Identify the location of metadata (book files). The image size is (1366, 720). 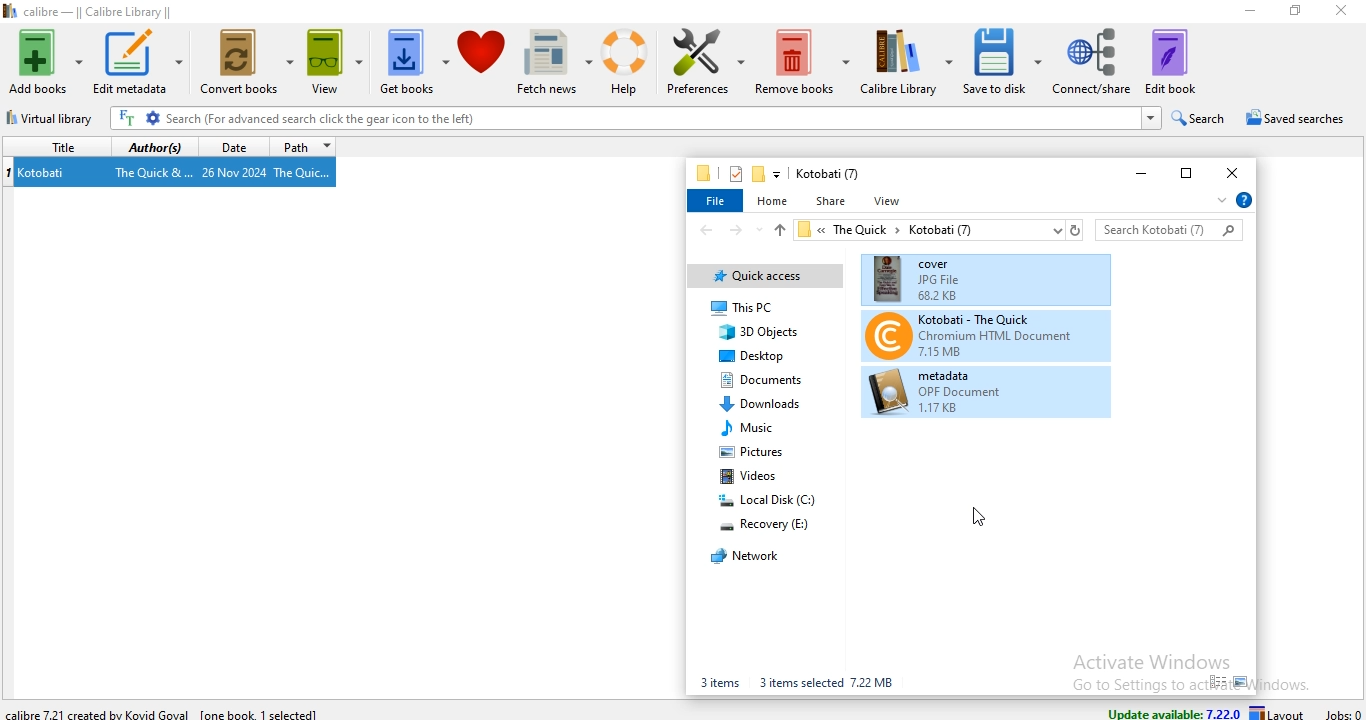
(939, 392).